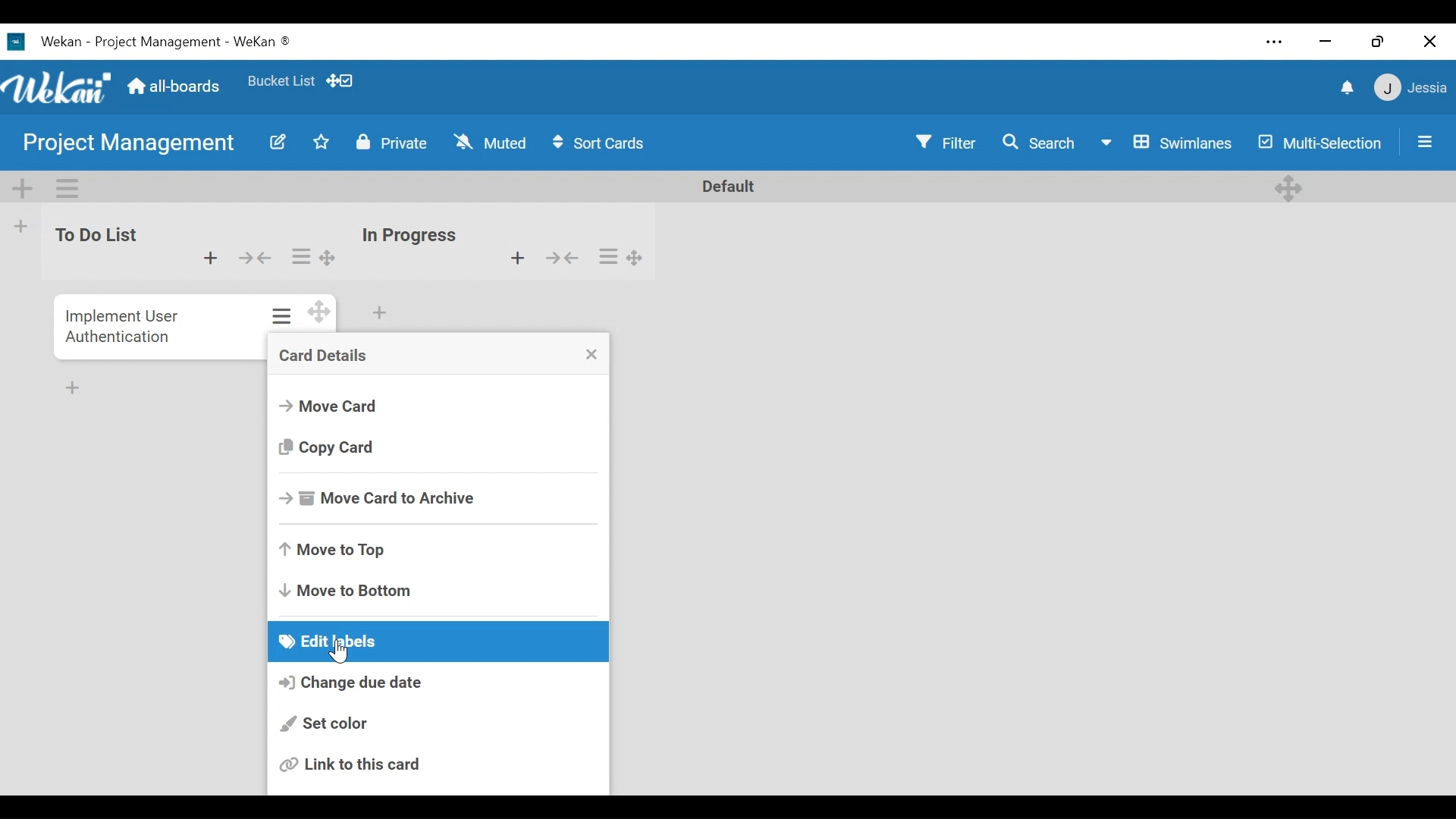 This screenshot has width=1456, height=819. I want to click on member settings, so click(1410, 89).